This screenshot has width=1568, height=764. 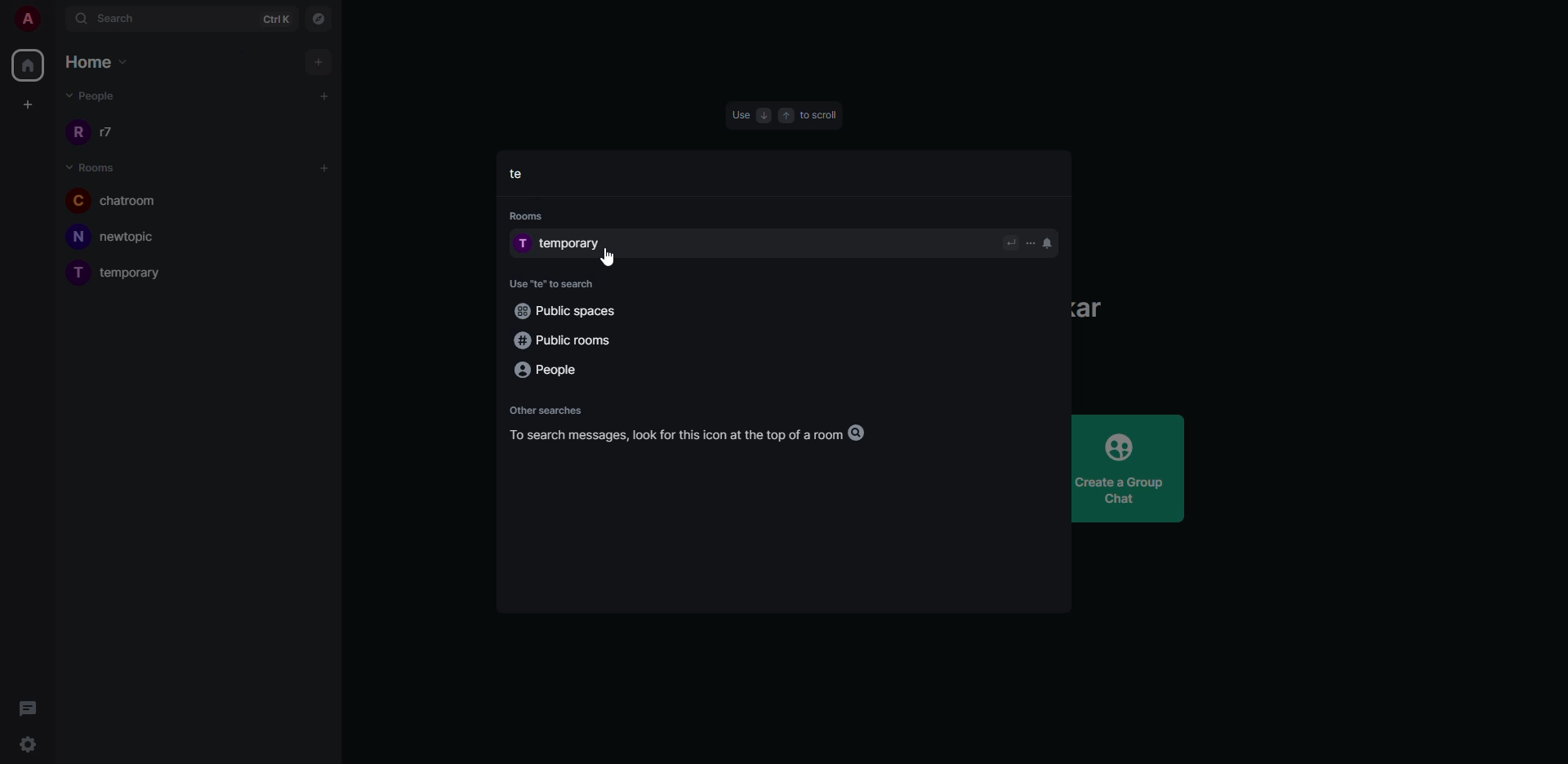 What do you see at coordinates (554, 283) in the screenshot?
I see `use te to search` at bounding box center [554, 283].